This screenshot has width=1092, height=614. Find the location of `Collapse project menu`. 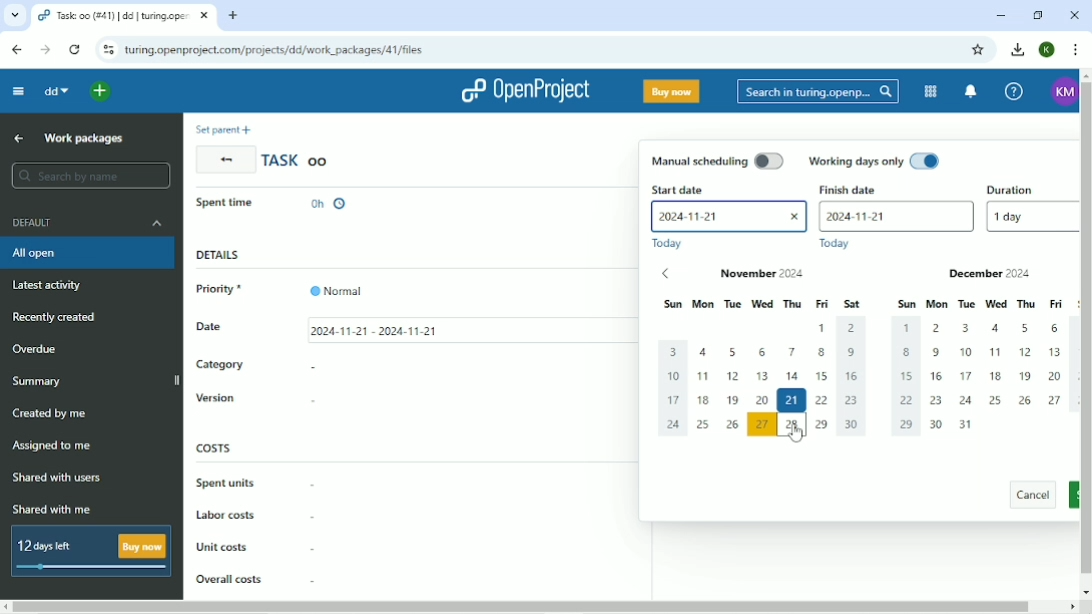

Collapse project menu is located at coordinates (19, 91).